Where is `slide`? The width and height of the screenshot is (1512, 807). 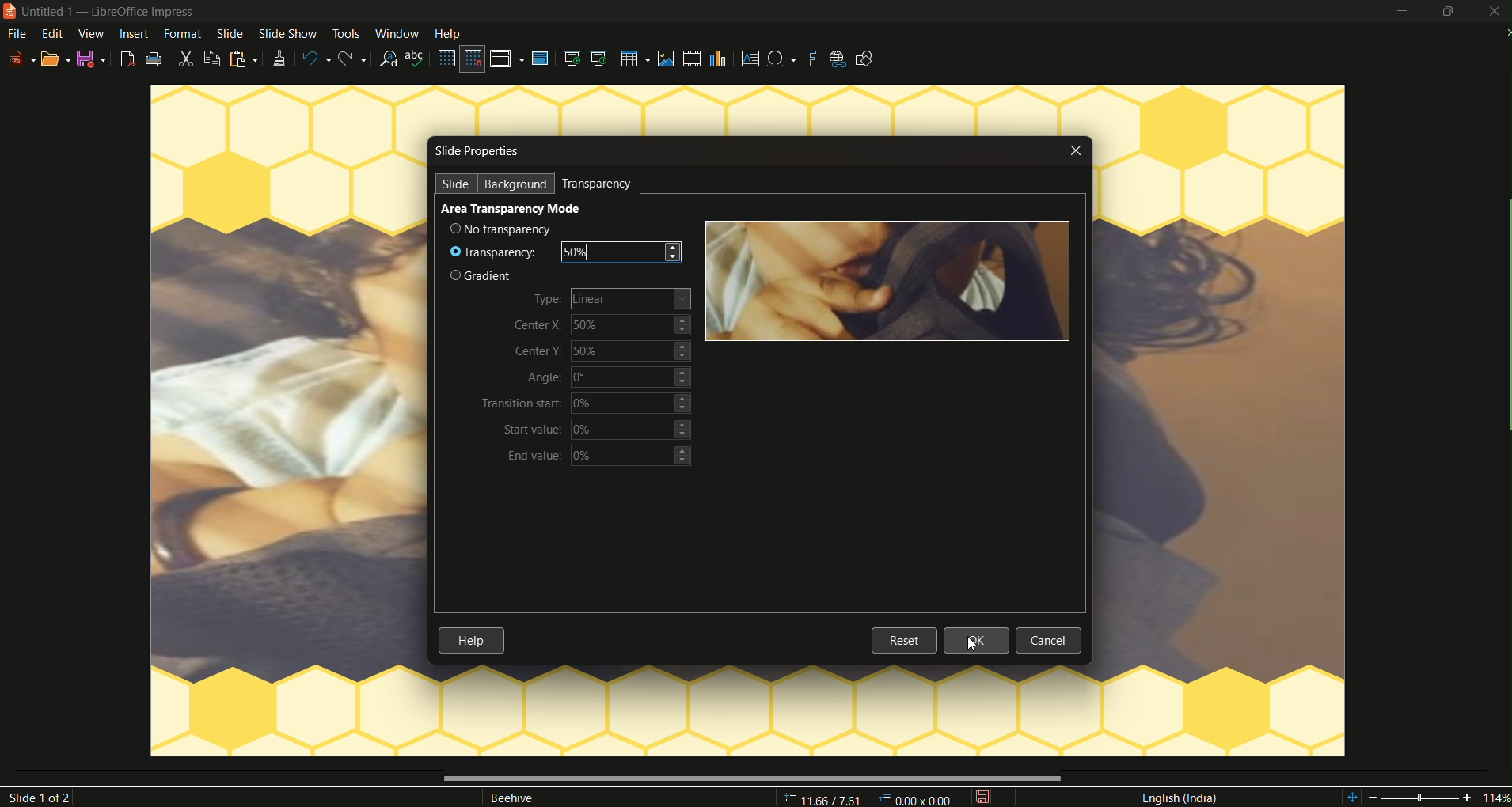
slide is located at coordinates (458, 184).